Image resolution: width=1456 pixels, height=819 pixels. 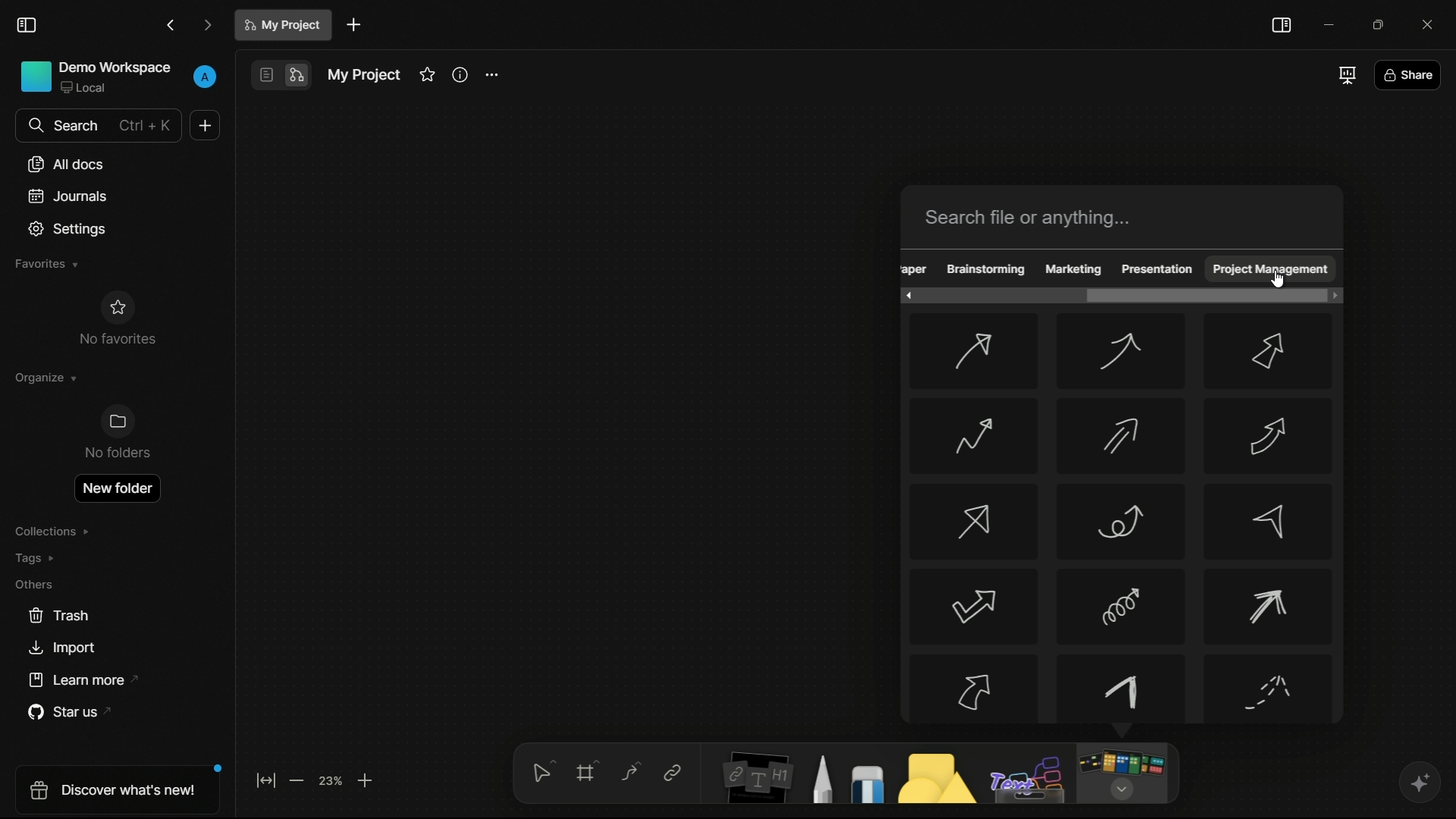 What do you see at coordinates (905, 296) in the screenshot?
I see `scroll left` at bounding box center [905, 296].